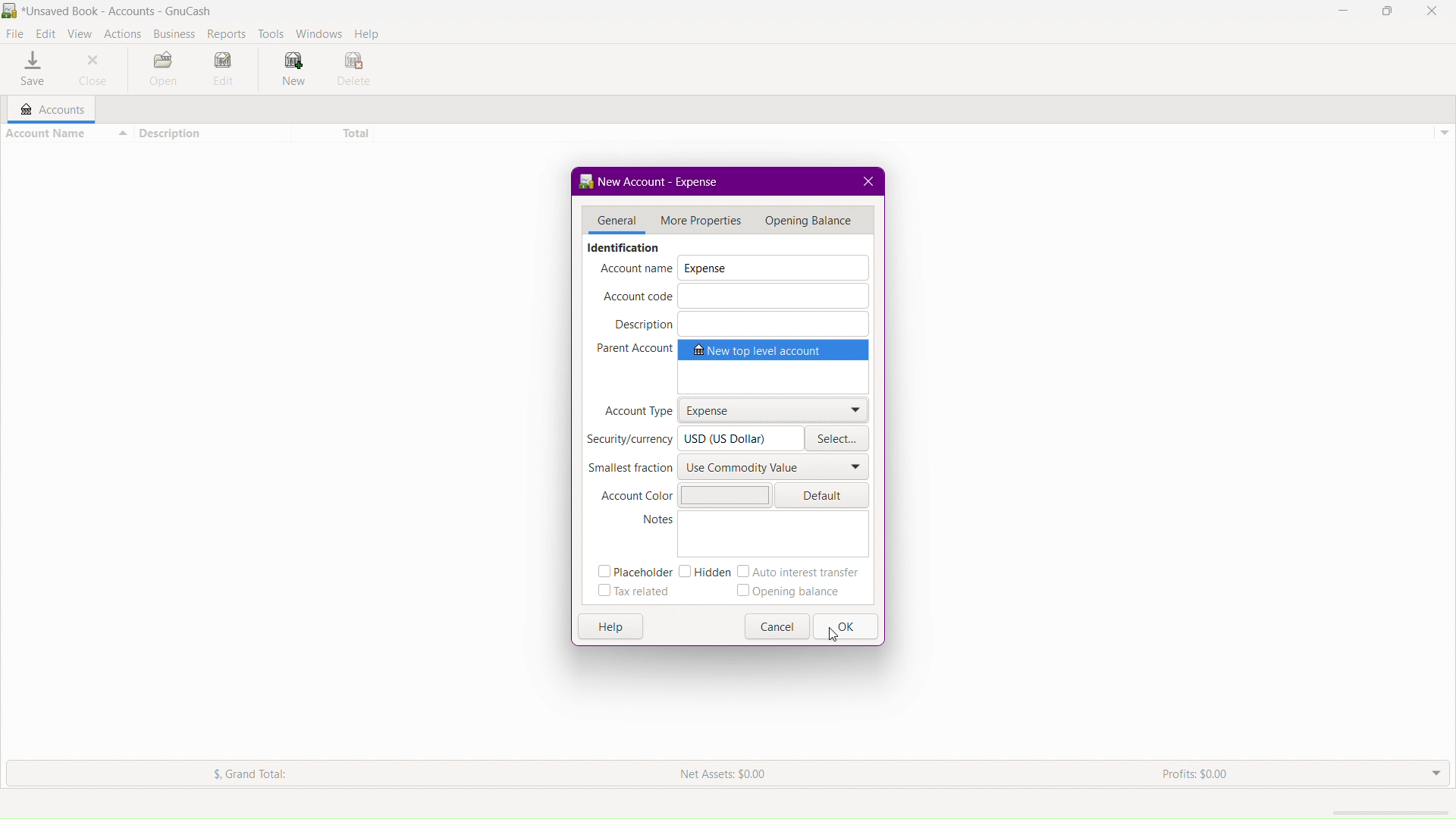 The image size is (1456, 819). What do you see at coordinates (735, 365) in the screenshot?
I see `Parent Account` at bounding box center [735, 365].